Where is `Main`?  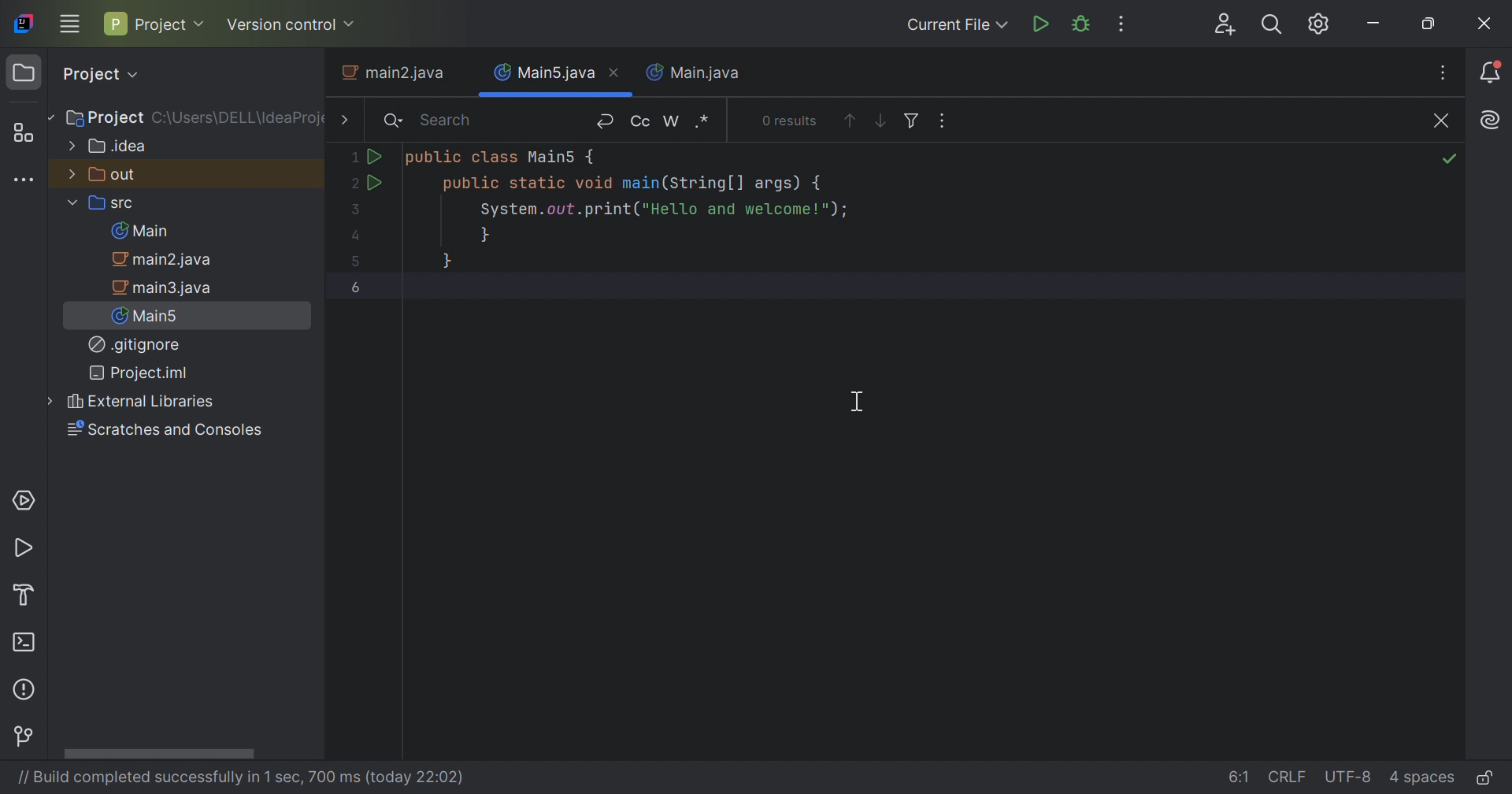
Main is located at coordinates (145, 231).